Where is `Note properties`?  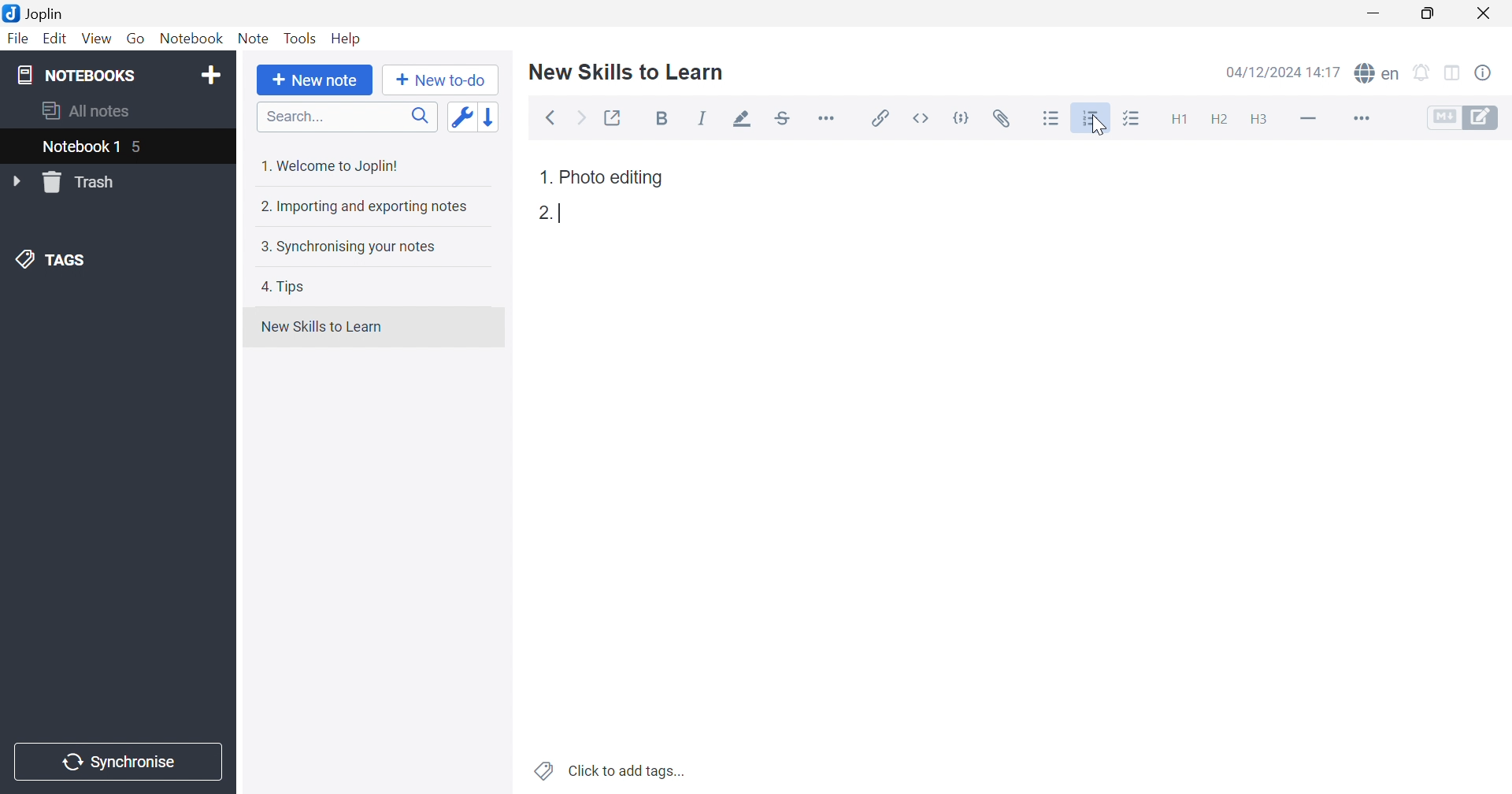 Note properties is located at coordinates (1483, 73).